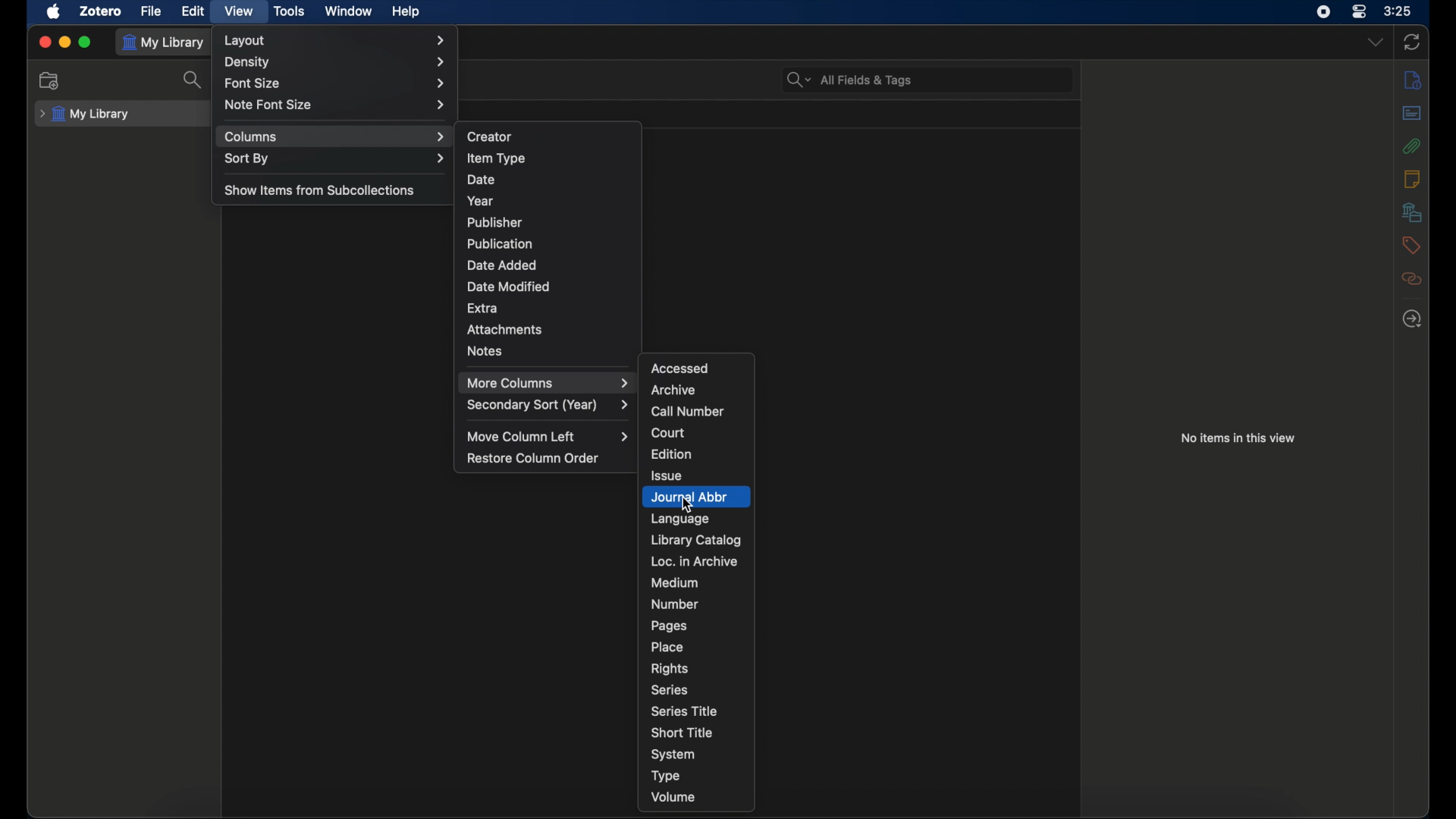 This screenshot has width=1456, height=819. What do you see at coordinates (1414, 278) in the screenshot?
I see `related` at bounding box center [1414, 278].